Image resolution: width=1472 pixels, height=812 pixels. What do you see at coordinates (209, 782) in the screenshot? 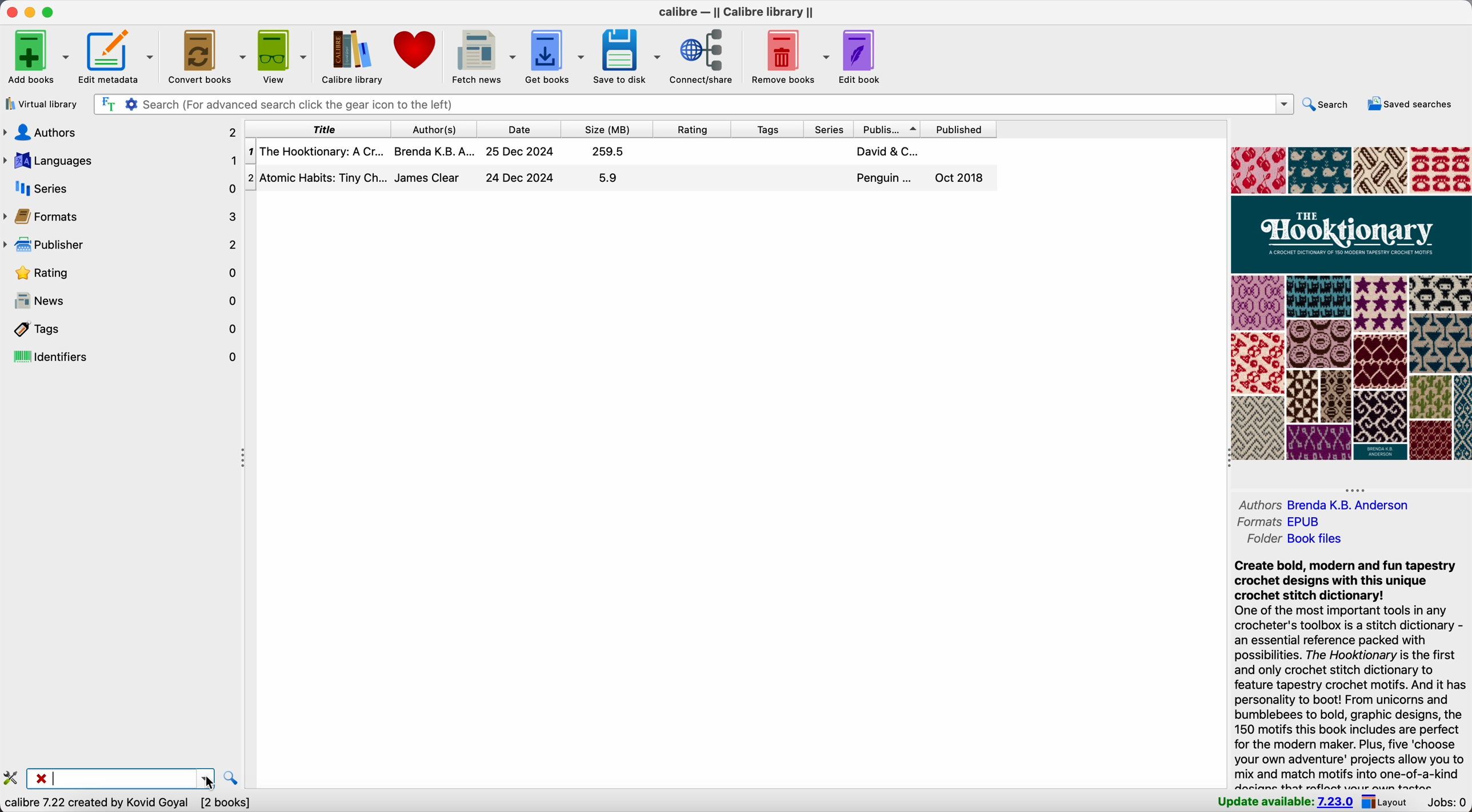
I see `cursor` at bounding box center [209, 782].